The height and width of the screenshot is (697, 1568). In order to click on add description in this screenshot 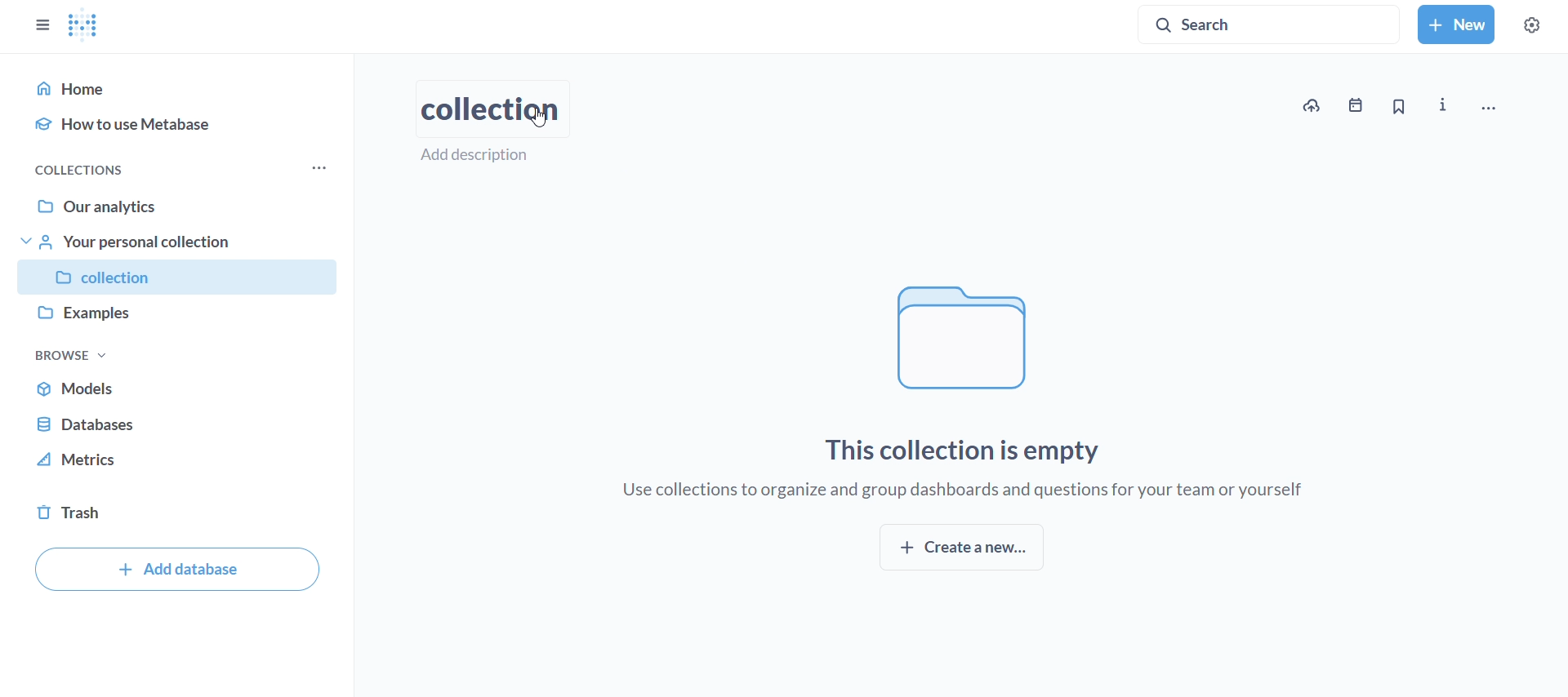, I will do `click(485, 155)`.